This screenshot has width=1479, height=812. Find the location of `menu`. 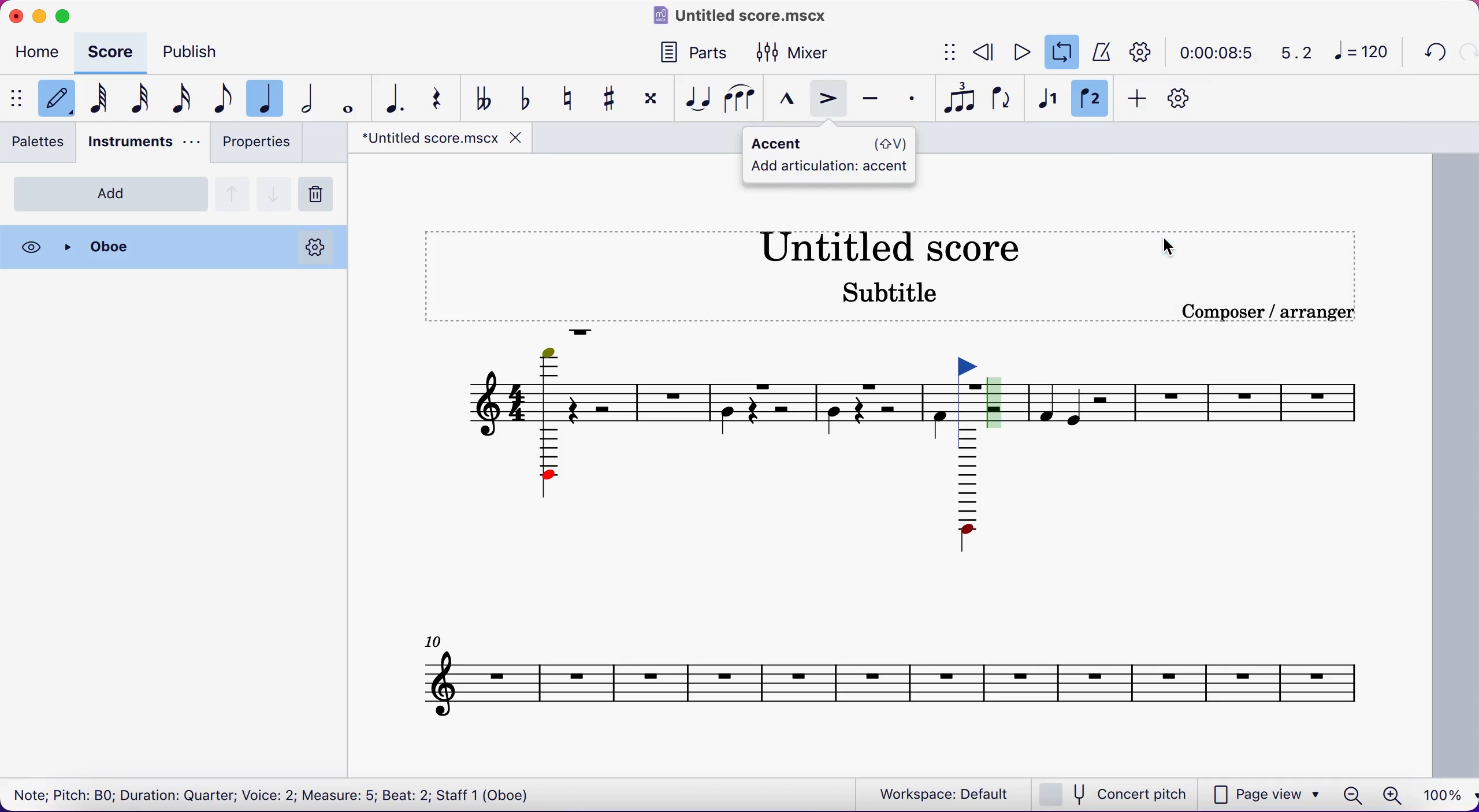

menu is located at coordinates (15, 98).